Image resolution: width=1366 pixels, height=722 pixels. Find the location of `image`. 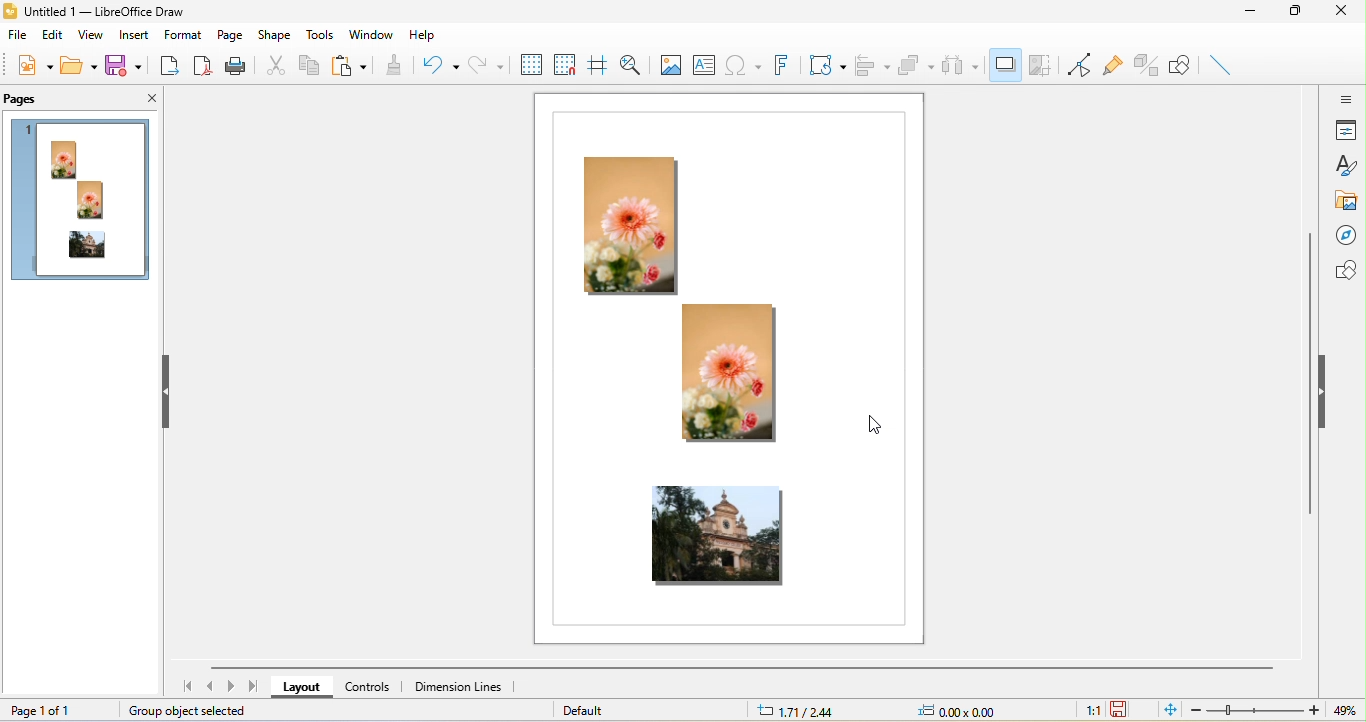

image is located at coordinates (669, 64).